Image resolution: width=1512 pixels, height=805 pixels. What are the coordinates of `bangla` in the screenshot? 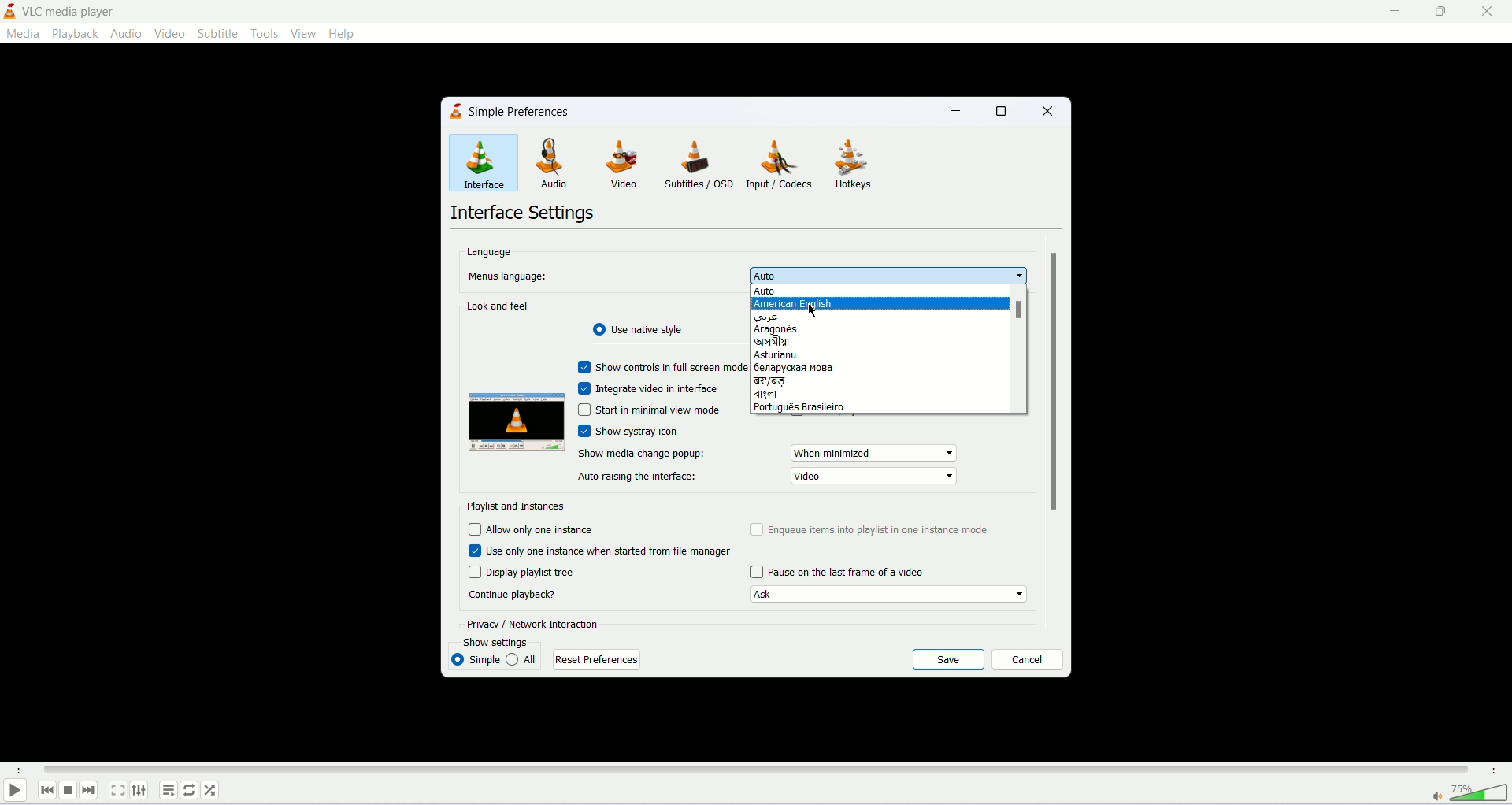 It's located at (792, 395).